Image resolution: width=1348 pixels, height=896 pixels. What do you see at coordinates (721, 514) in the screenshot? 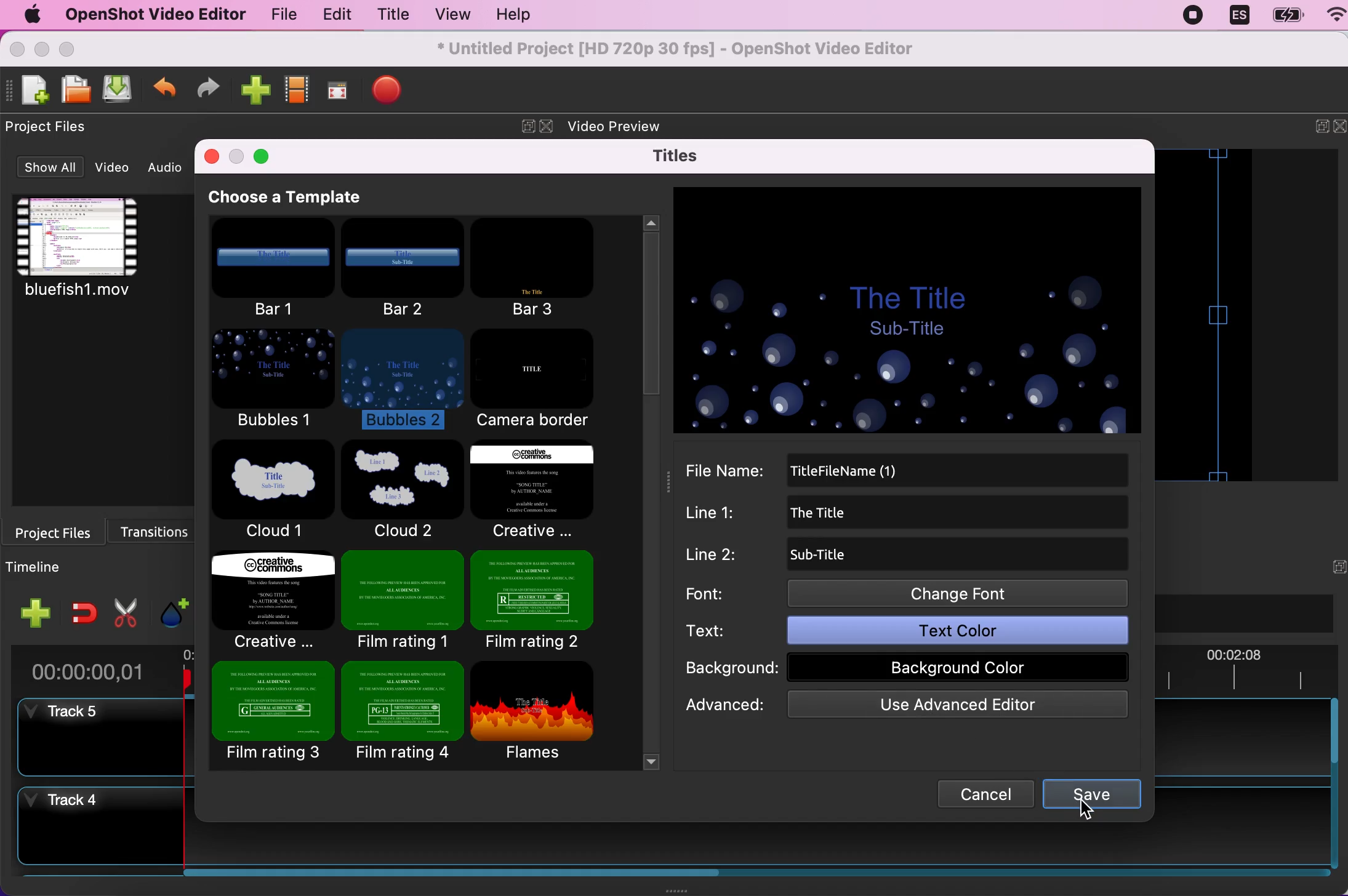
I see `line 1:` at bounding box center [721, 514].